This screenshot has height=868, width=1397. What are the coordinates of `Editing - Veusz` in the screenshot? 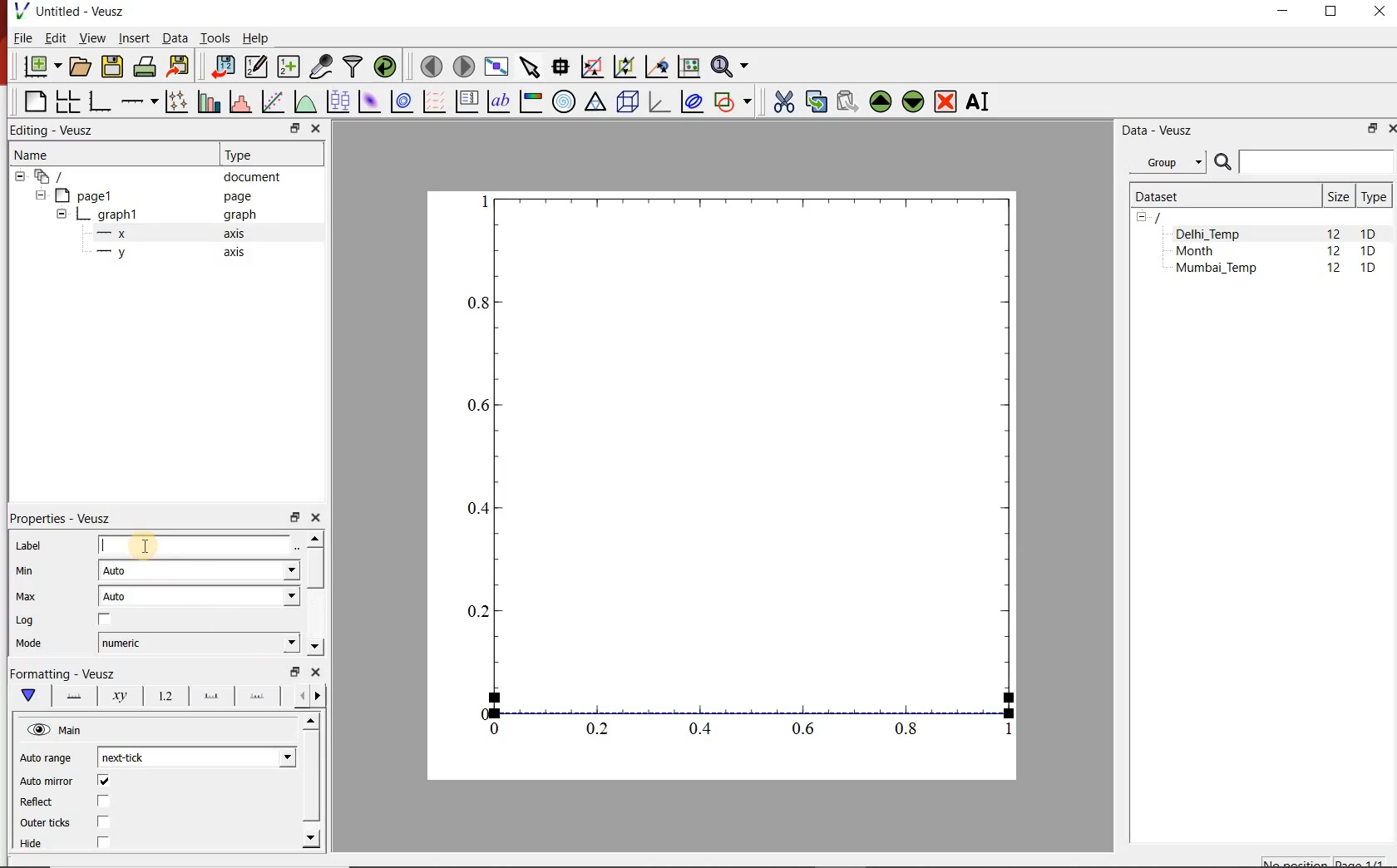 It's located at (62, 129).